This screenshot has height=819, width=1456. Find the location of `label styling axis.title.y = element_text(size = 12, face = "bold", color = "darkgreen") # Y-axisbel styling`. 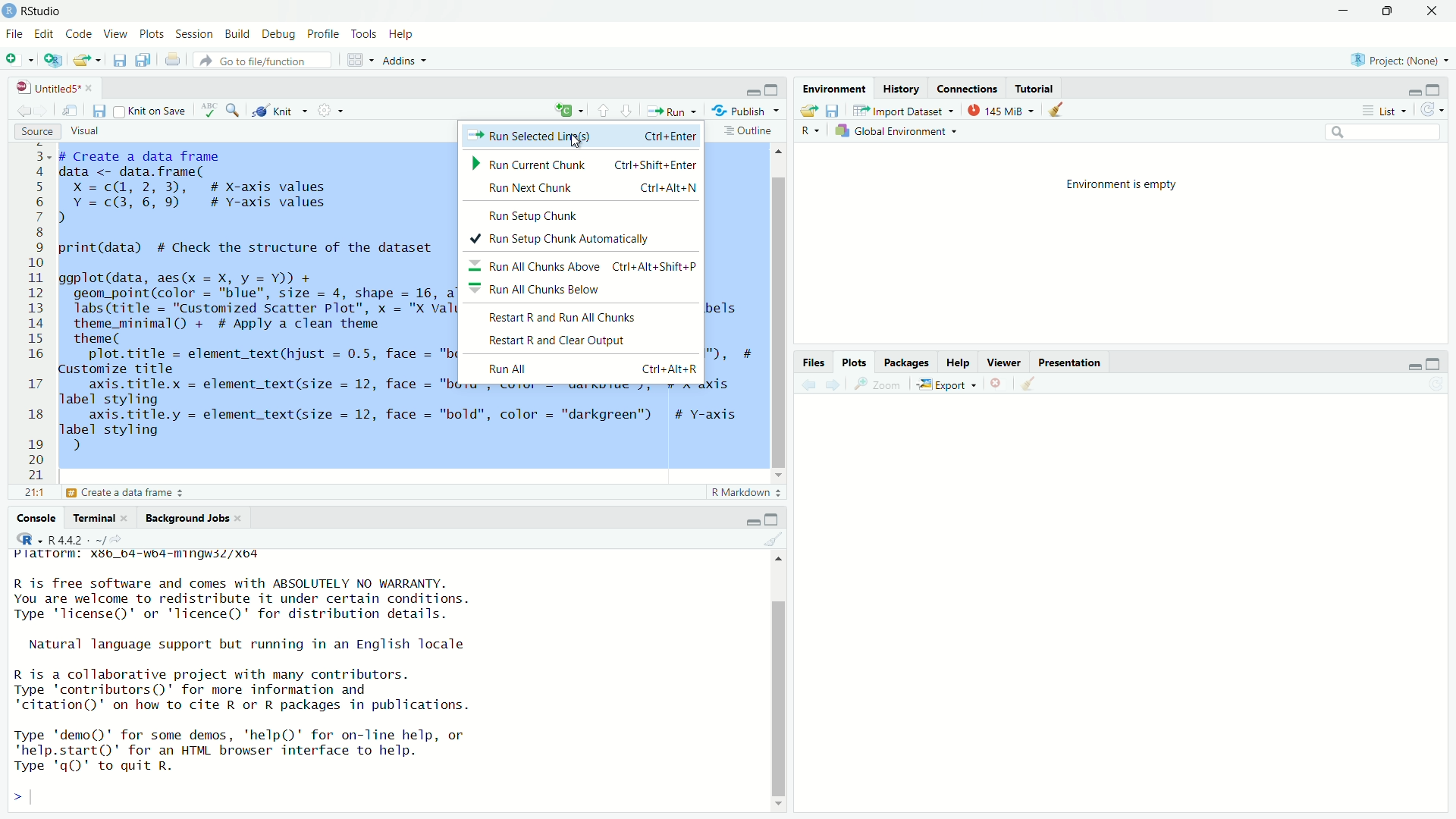

label styling axis.title.y = element_text(size = 12, face = "bold", color = "darkgreen") # Y-axisbel styling is located at coordinates (408, 416).